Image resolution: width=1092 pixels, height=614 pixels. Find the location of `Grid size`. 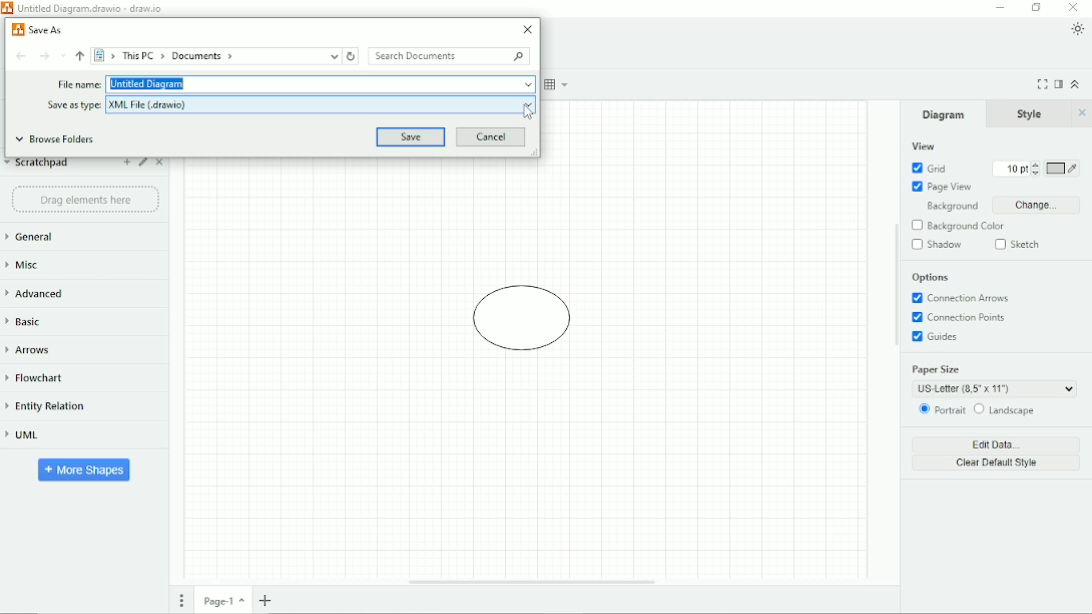

Grid size is located at coordinates (1017, 169).